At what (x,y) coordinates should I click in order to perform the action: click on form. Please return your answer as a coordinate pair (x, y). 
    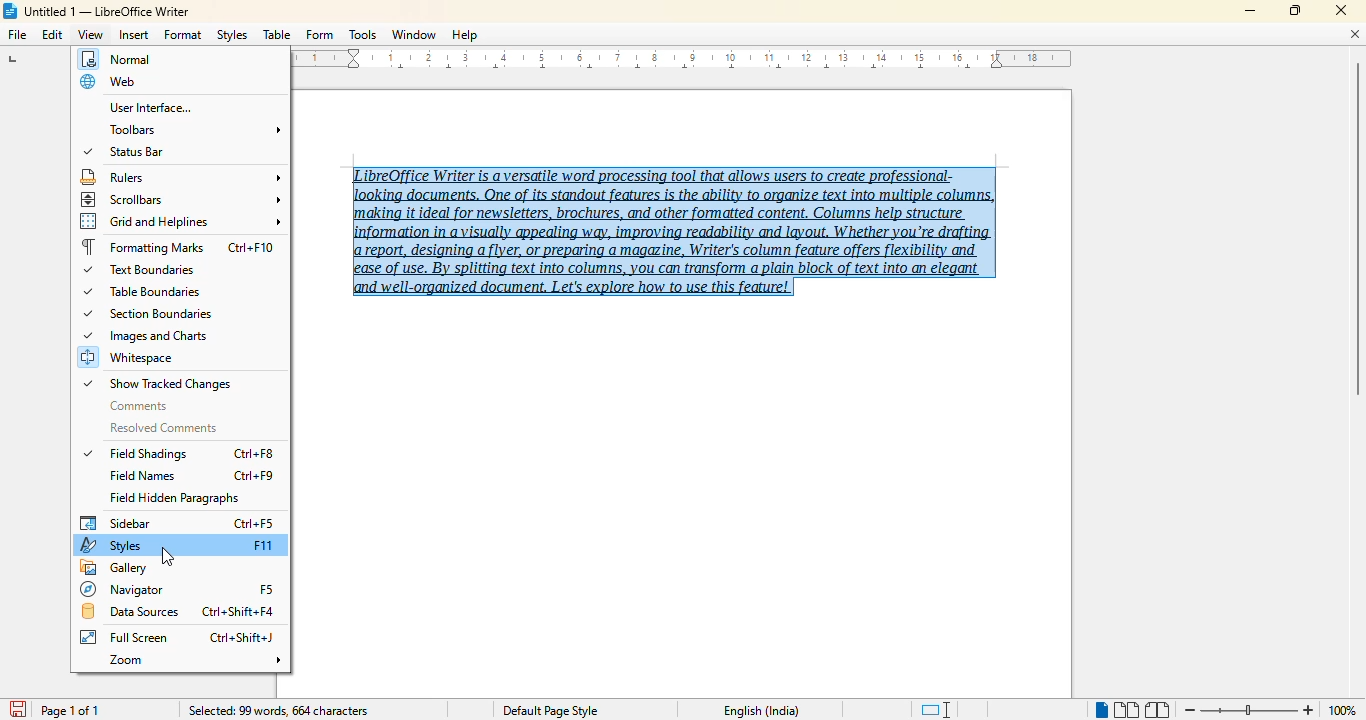
    Looking at the image, I should click on (320, 34).